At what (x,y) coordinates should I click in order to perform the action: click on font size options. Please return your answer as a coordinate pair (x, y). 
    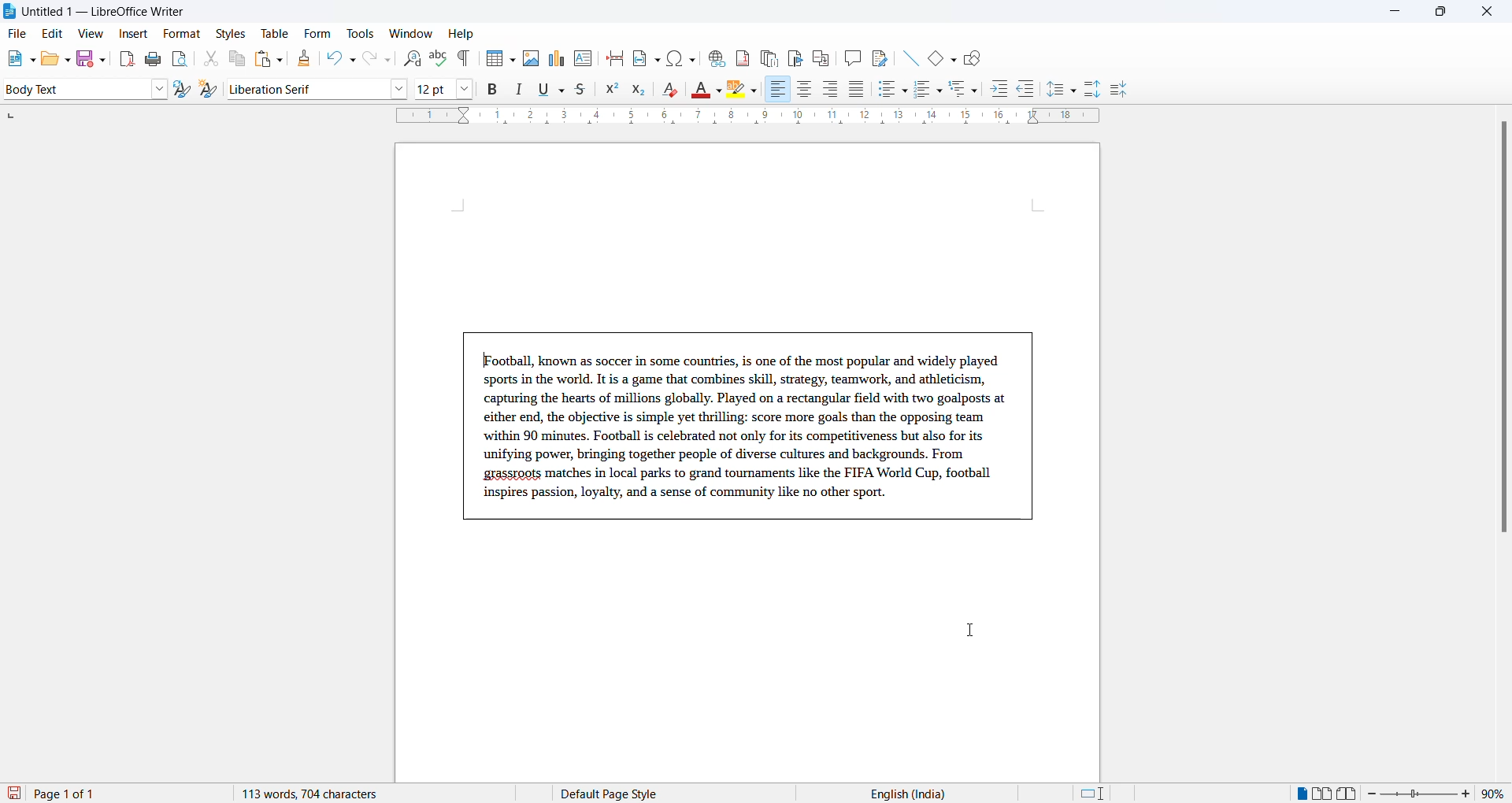
    Looking at the image, I should click on (465, 88).